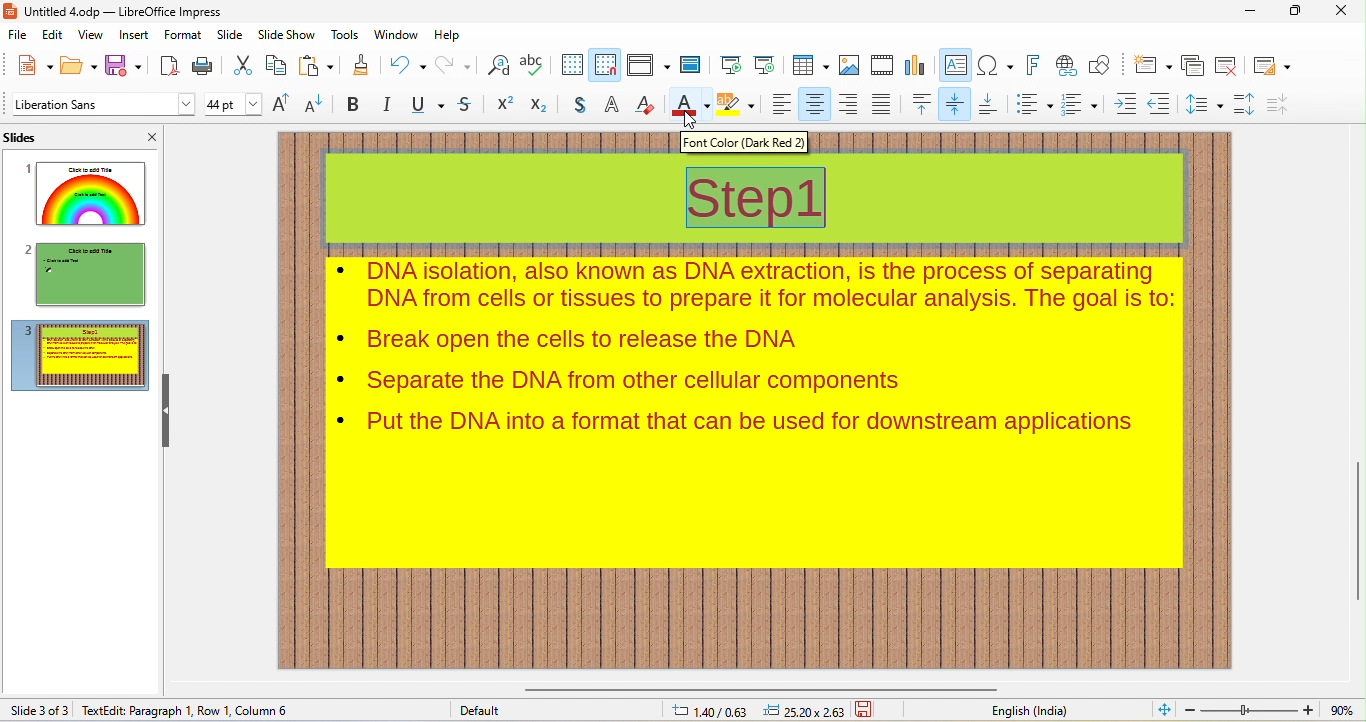 The width and height of the screenshot is (1366, 722). What do you see at coordinates (1065, 66) in the screenshot?
I see `hyperlink` at bounding box center [1065, 66].